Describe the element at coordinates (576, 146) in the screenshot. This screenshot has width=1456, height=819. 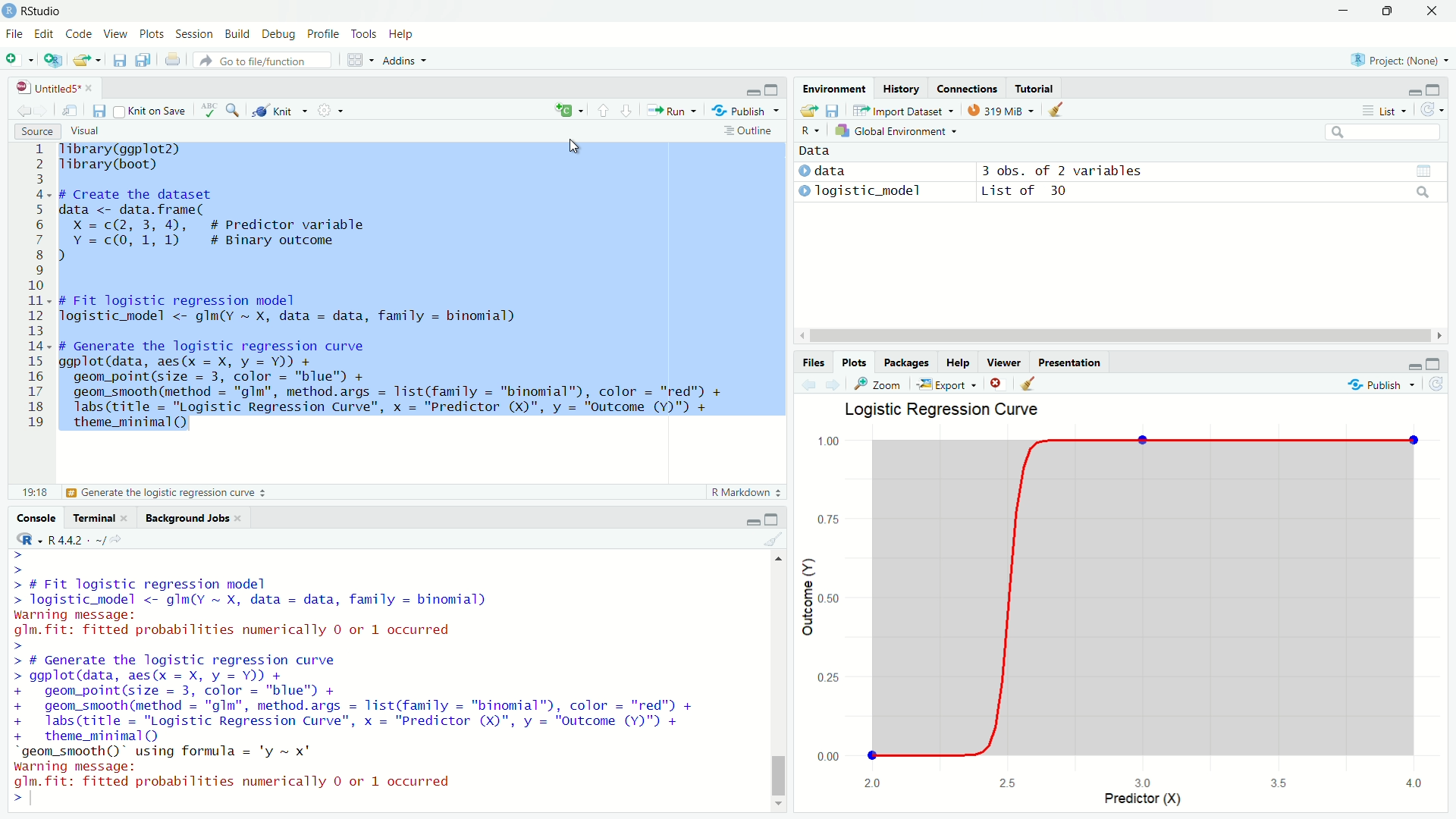
I see `cursor` at that location.